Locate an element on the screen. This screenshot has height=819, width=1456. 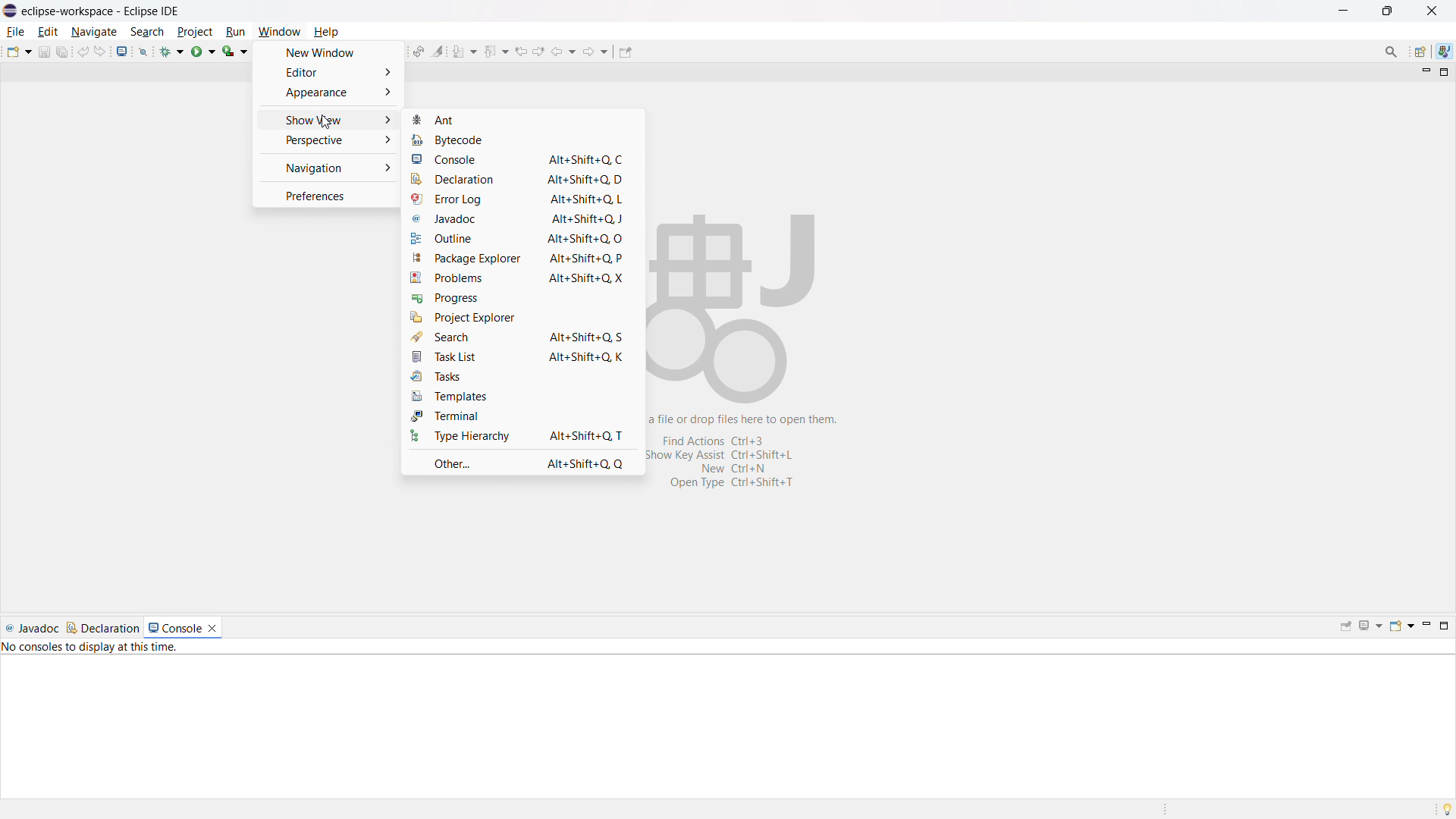
open console is located at coordinates (1401, 626).